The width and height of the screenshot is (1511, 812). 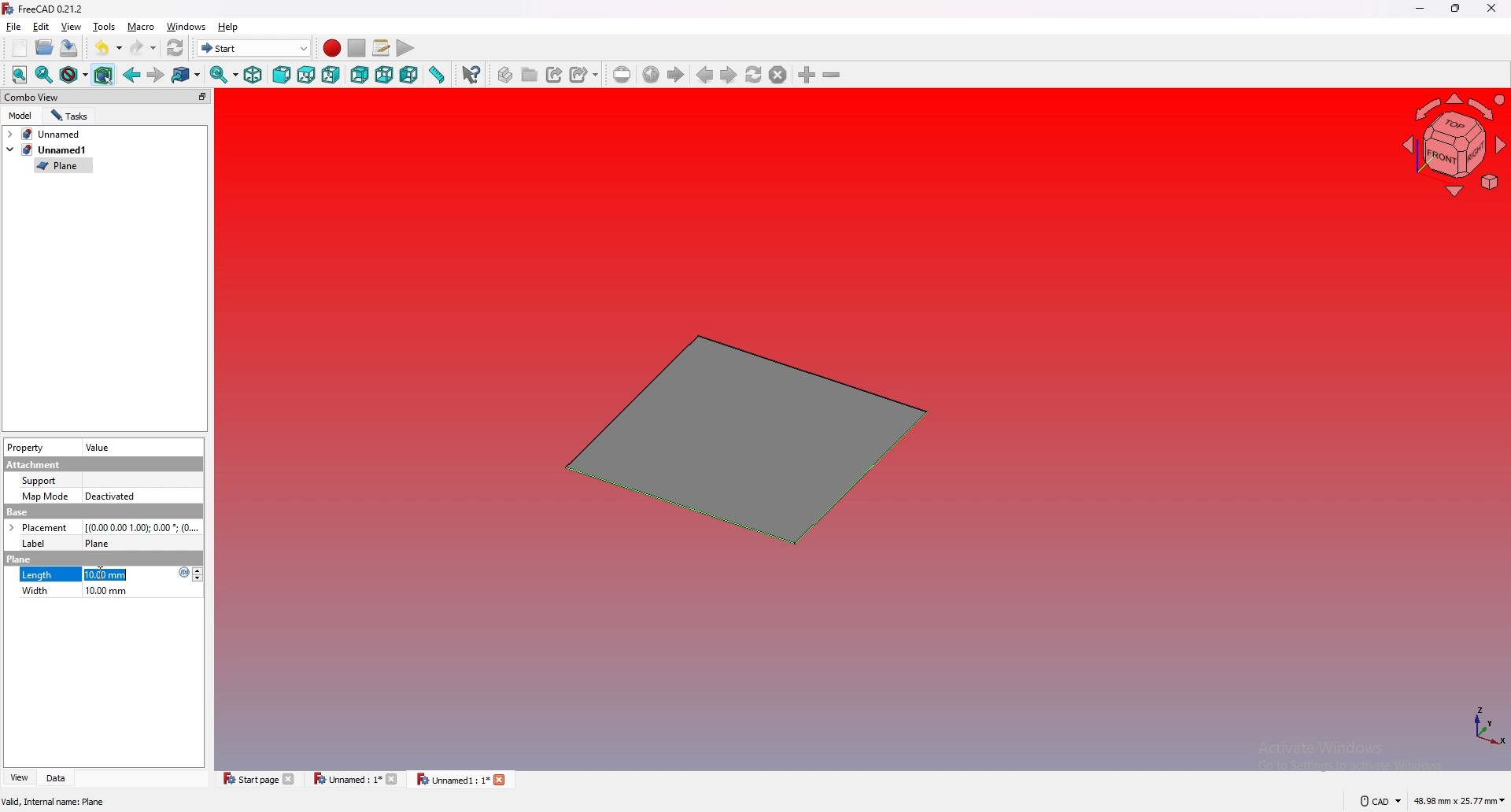 What do you see at coordinates (35, 592) in the screenshot?
I see `width` at bounding box center [35, 592].